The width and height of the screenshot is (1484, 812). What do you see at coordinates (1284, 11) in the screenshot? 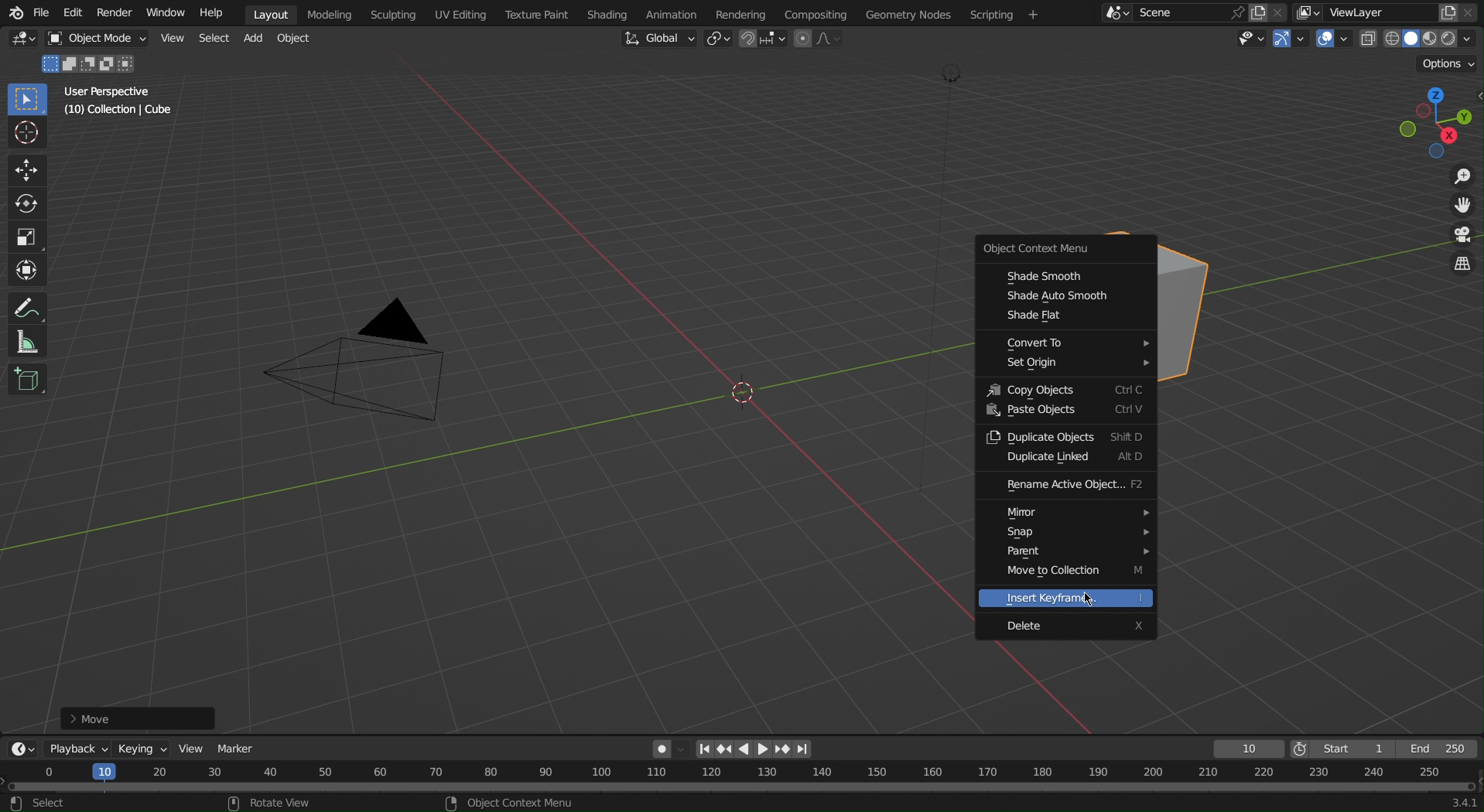
I see `colse` at bounding box center [1284, 11].